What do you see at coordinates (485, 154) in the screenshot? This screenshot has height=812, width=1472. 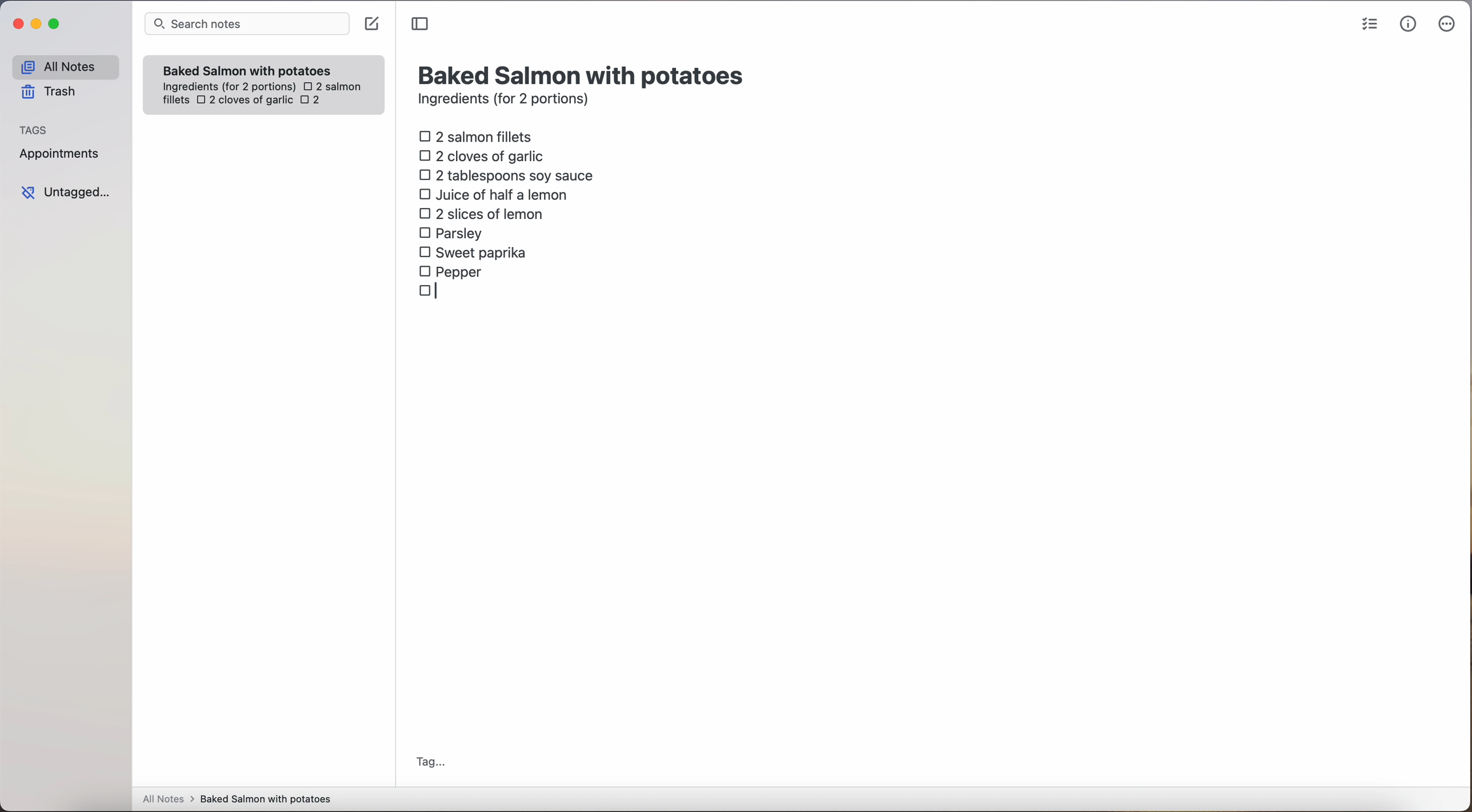 I see `2 cloves of garlic` at bounding box center [485, 154].